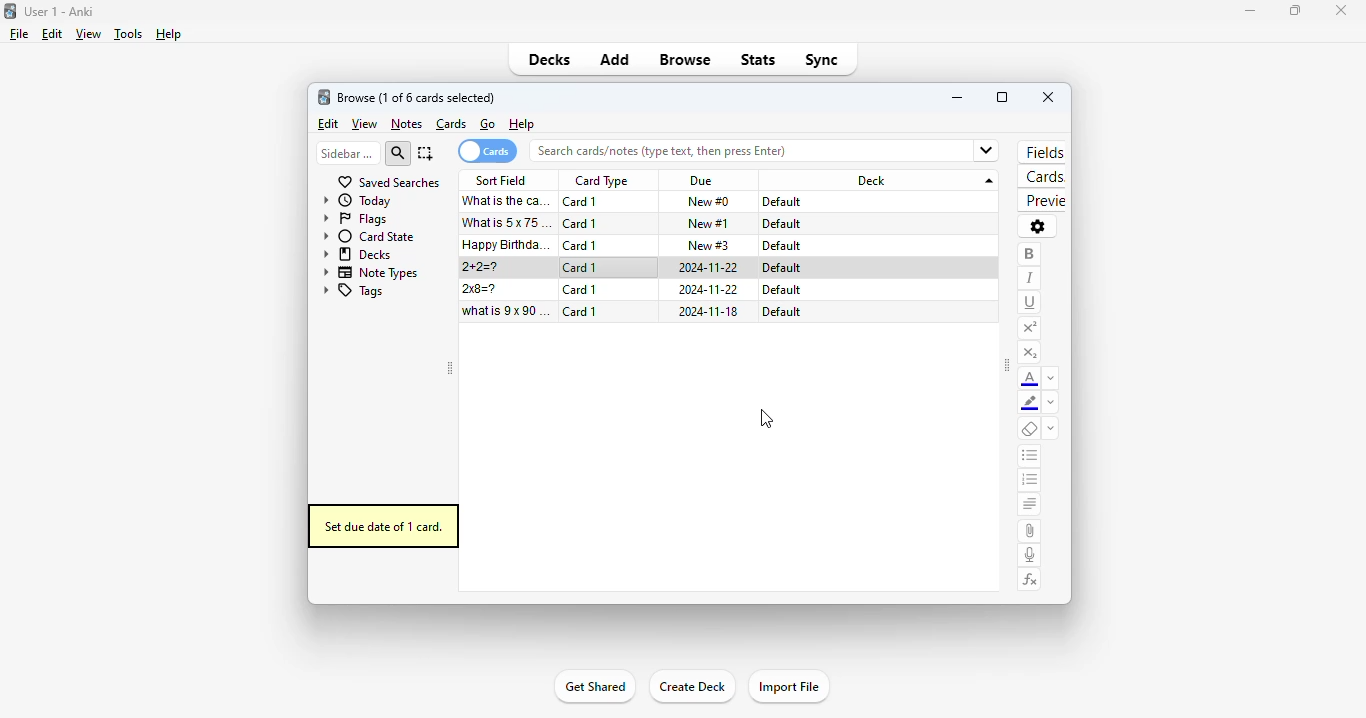  Describe the element at coordinates (782, 246) in the screenshot. I see `default` at that location.